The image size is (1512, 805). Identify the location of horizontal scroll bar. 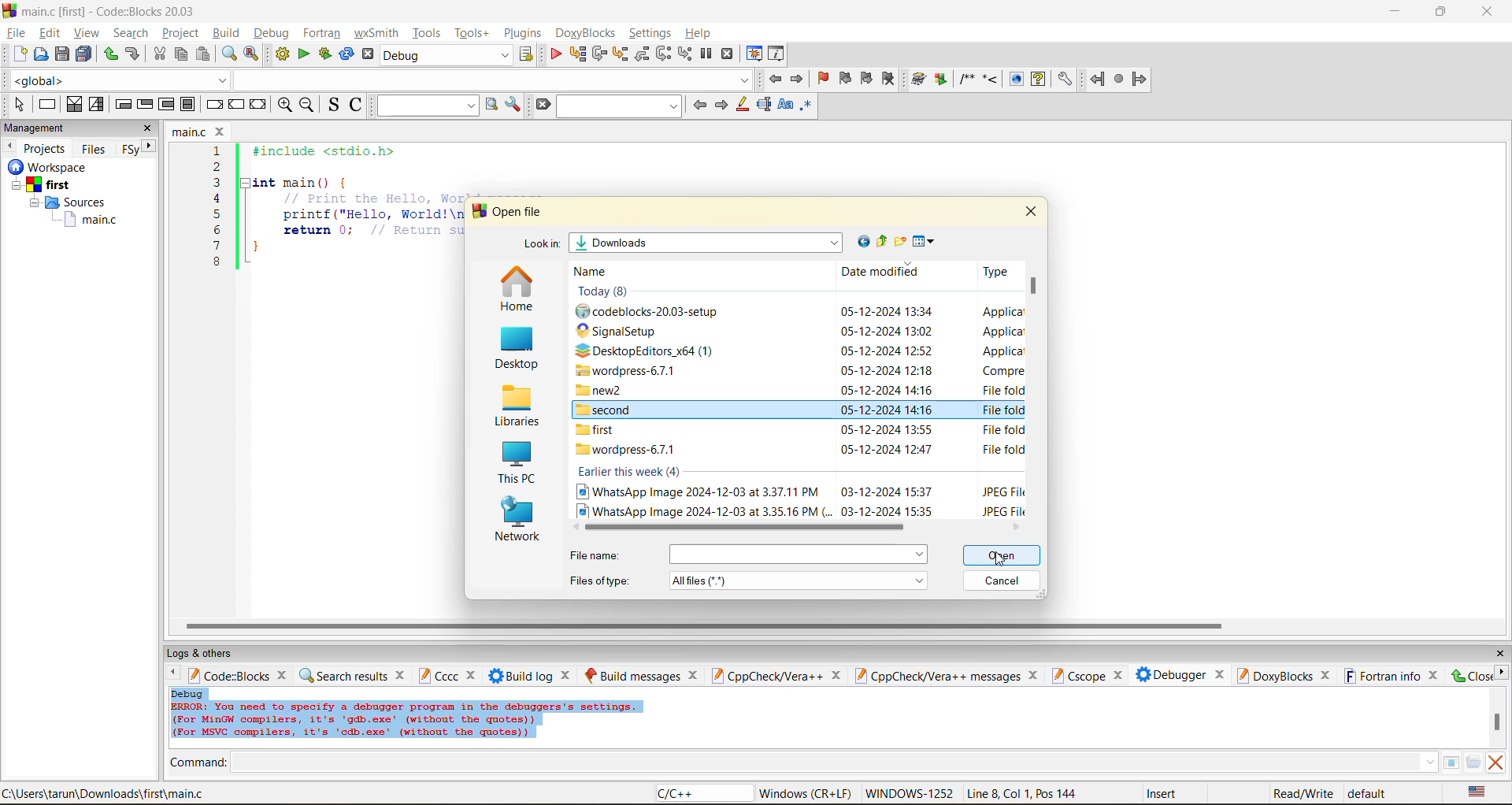
(737, 527).